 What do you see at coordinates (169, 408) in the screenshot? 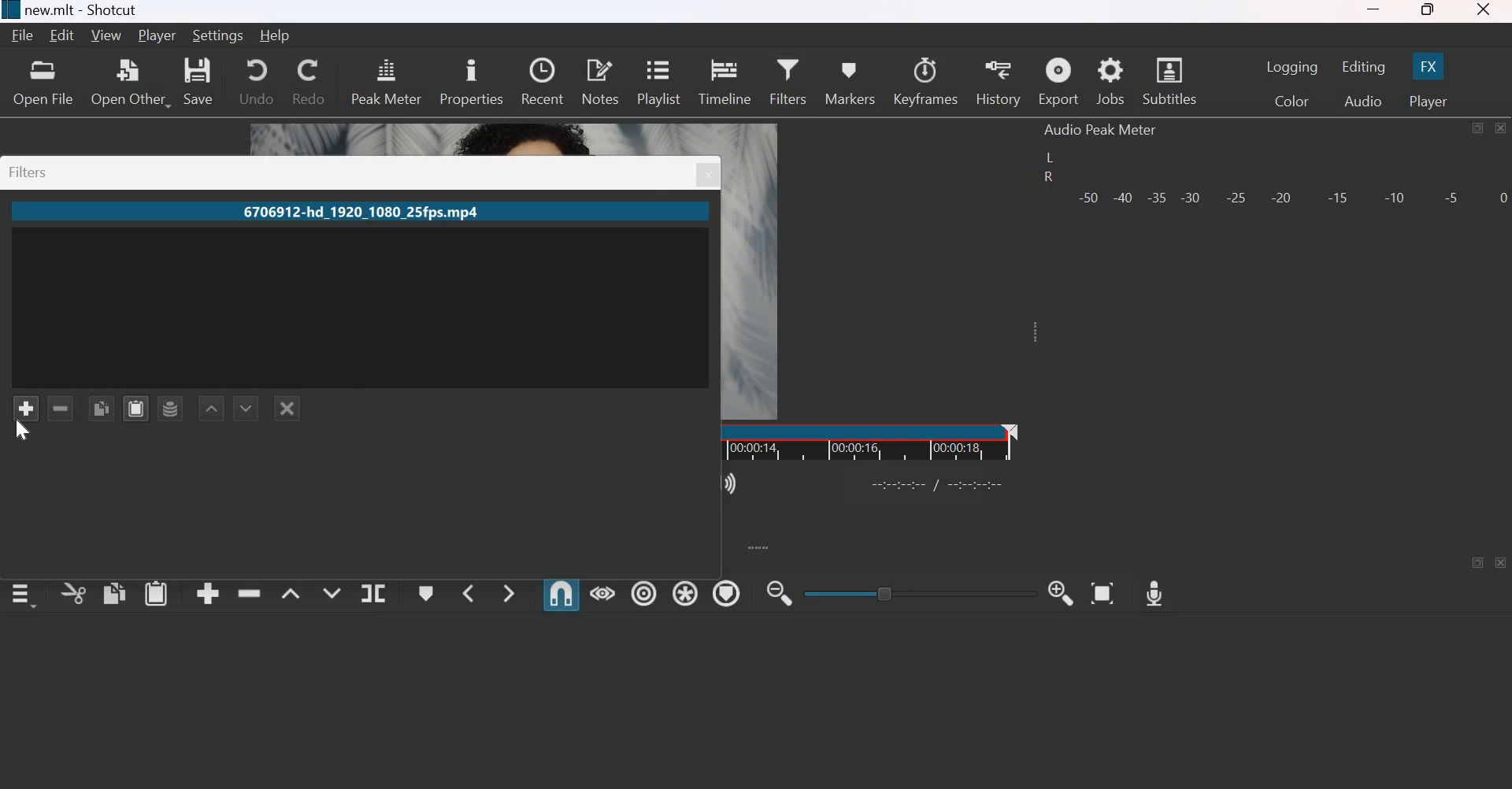
I see `save a filter set` at bounding box center [169, 408].